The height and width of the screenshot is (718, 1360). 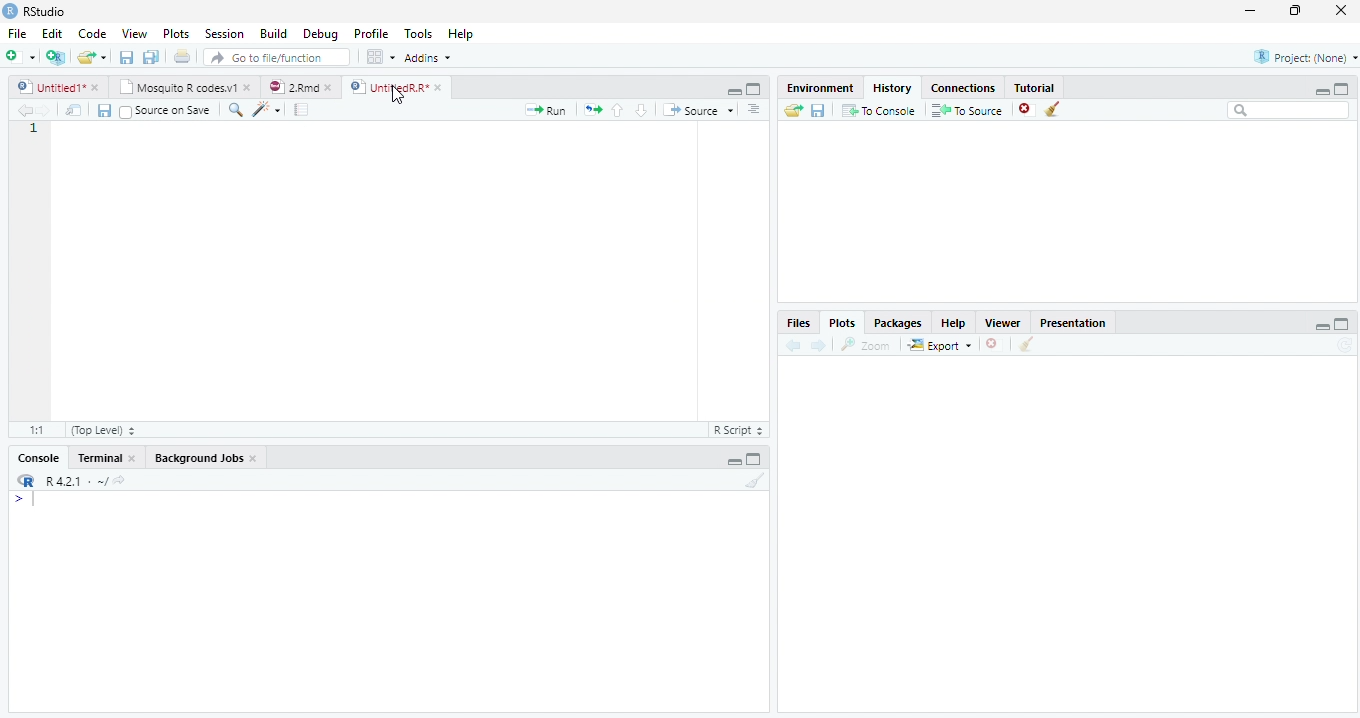 I want to click on Go ro file/function, so click(x=275, y=58).